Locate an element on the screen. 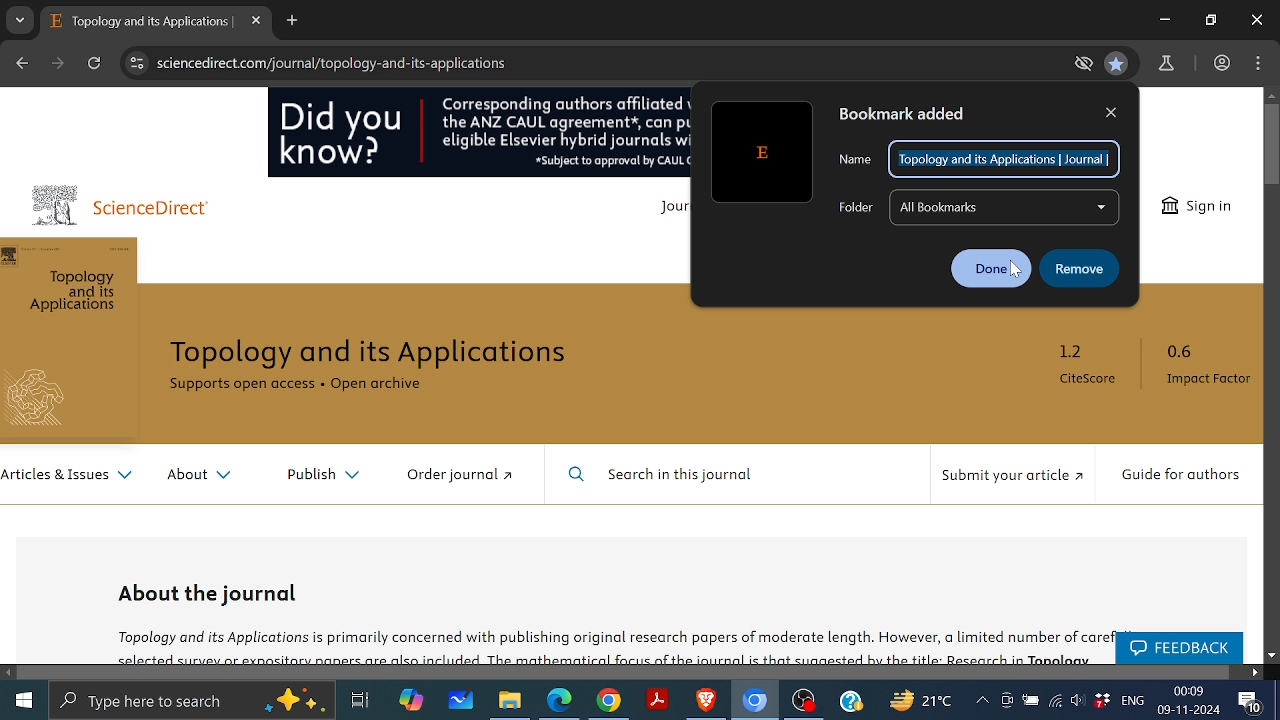 The image size is (1280, 720). Add New tab is located at coordinates (293, 22).